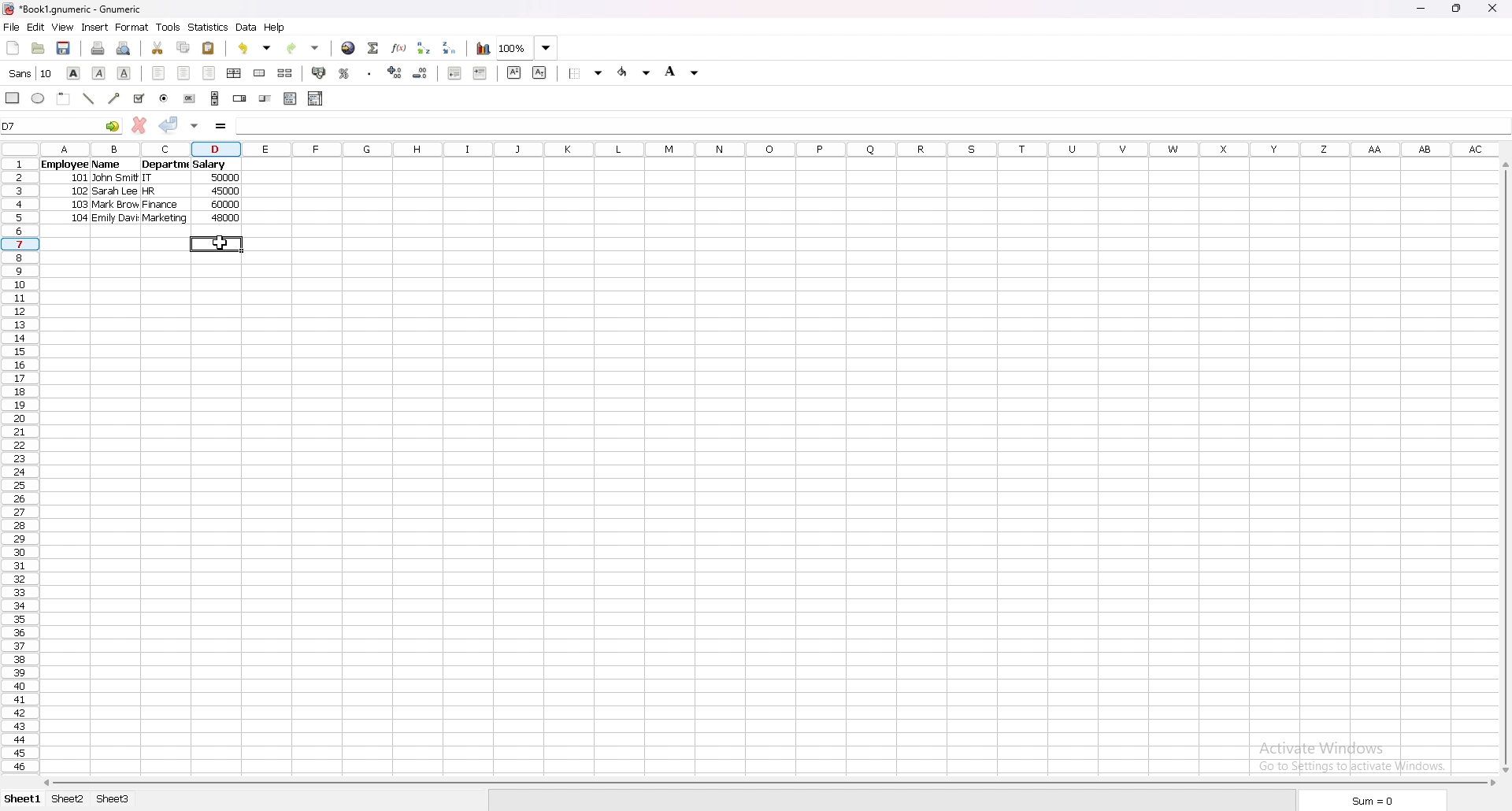 The height and width of the screenshot is (811, 1512). I want to click on new, so click(13, 48).